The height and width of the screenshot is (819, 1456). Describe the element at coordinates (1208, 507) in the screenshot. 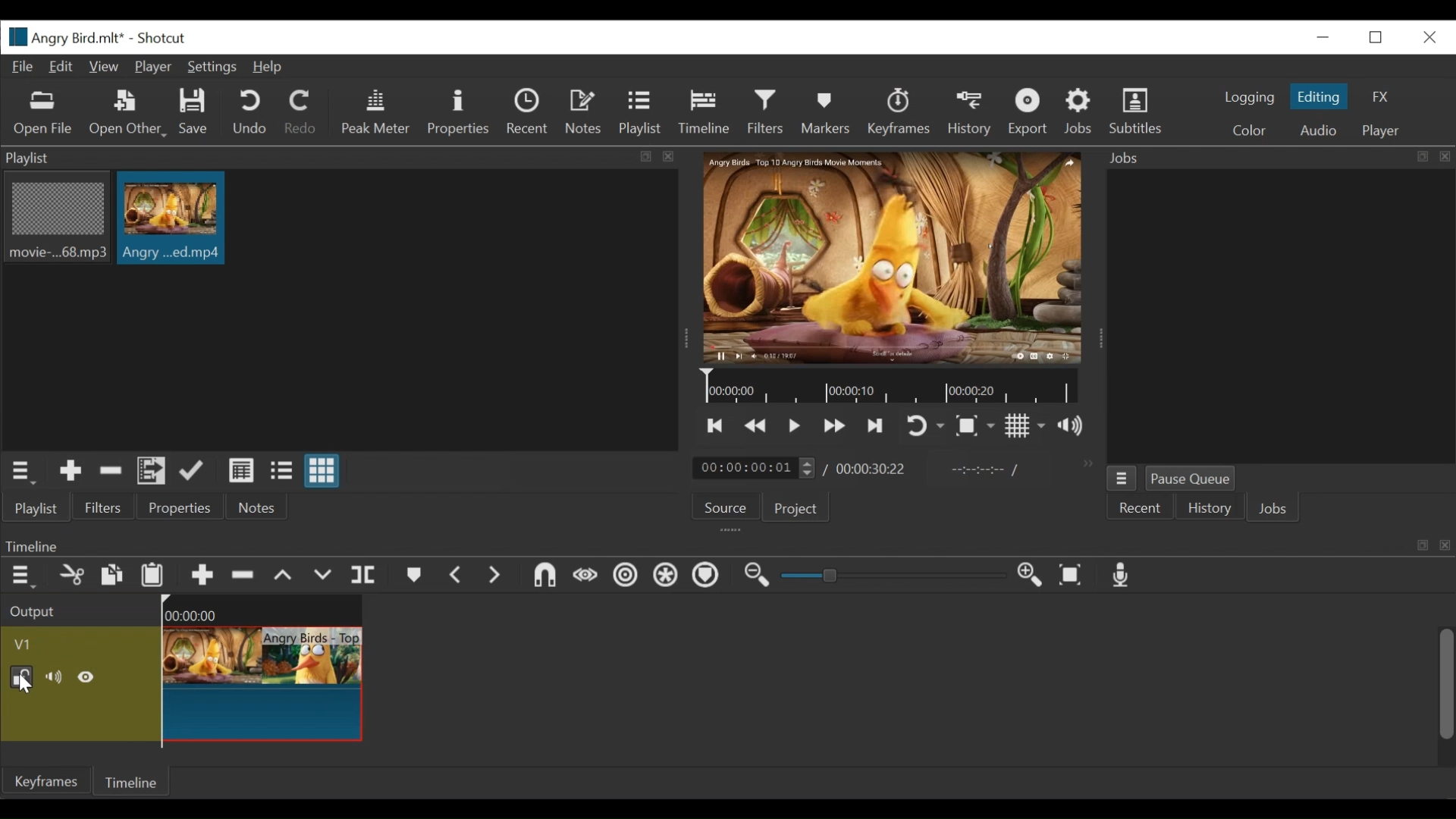

I see `History` at that location.